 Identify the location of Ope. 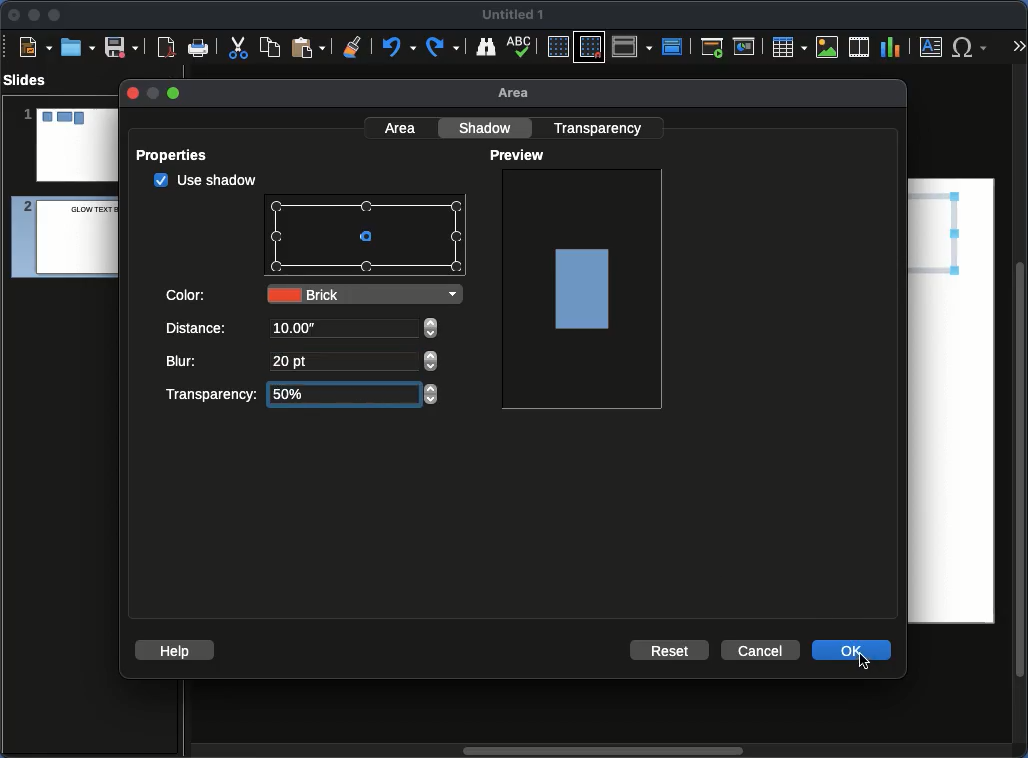
(78, 46).